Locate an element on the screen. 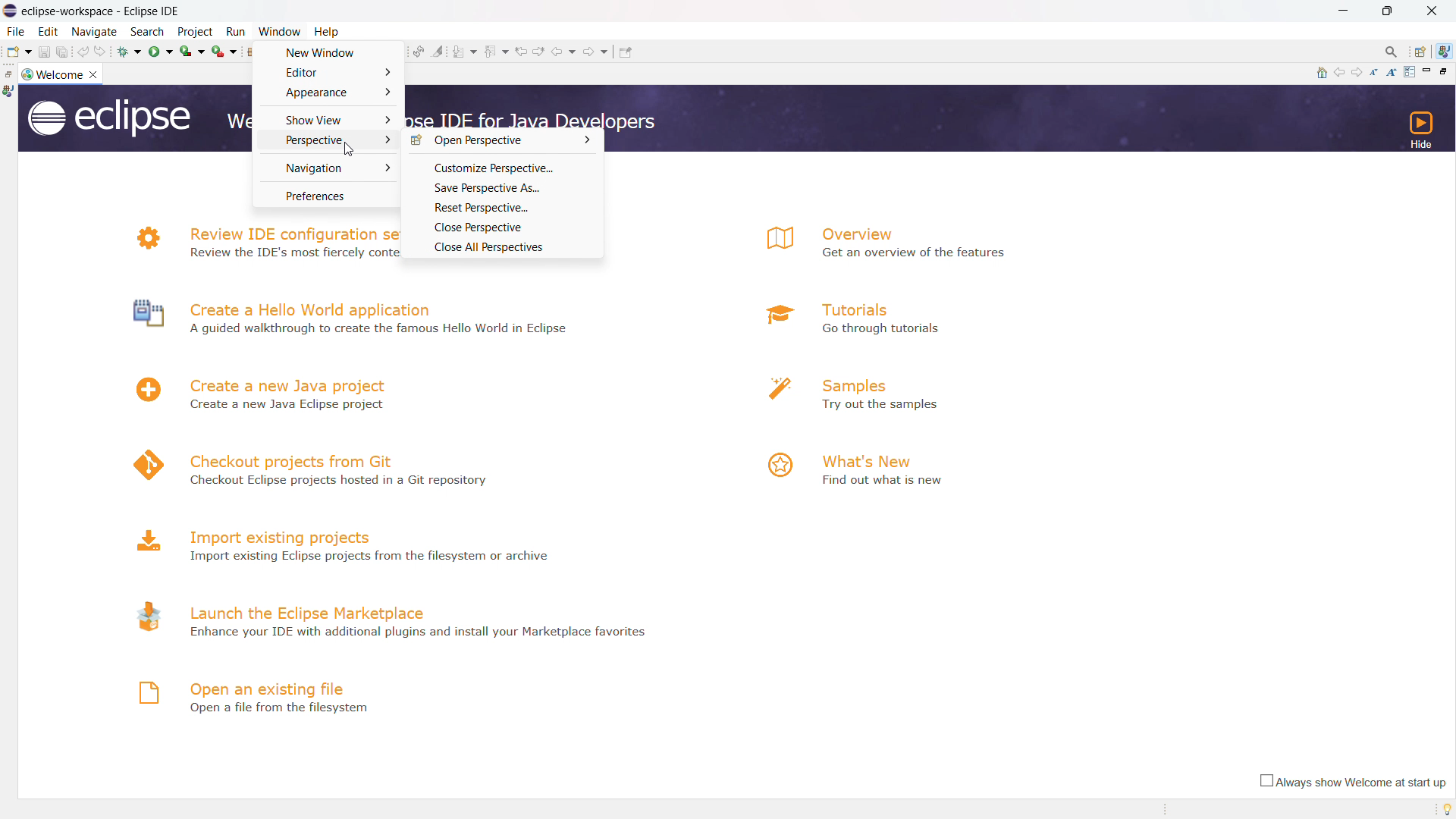  logo is located at coordinates (775, 390).